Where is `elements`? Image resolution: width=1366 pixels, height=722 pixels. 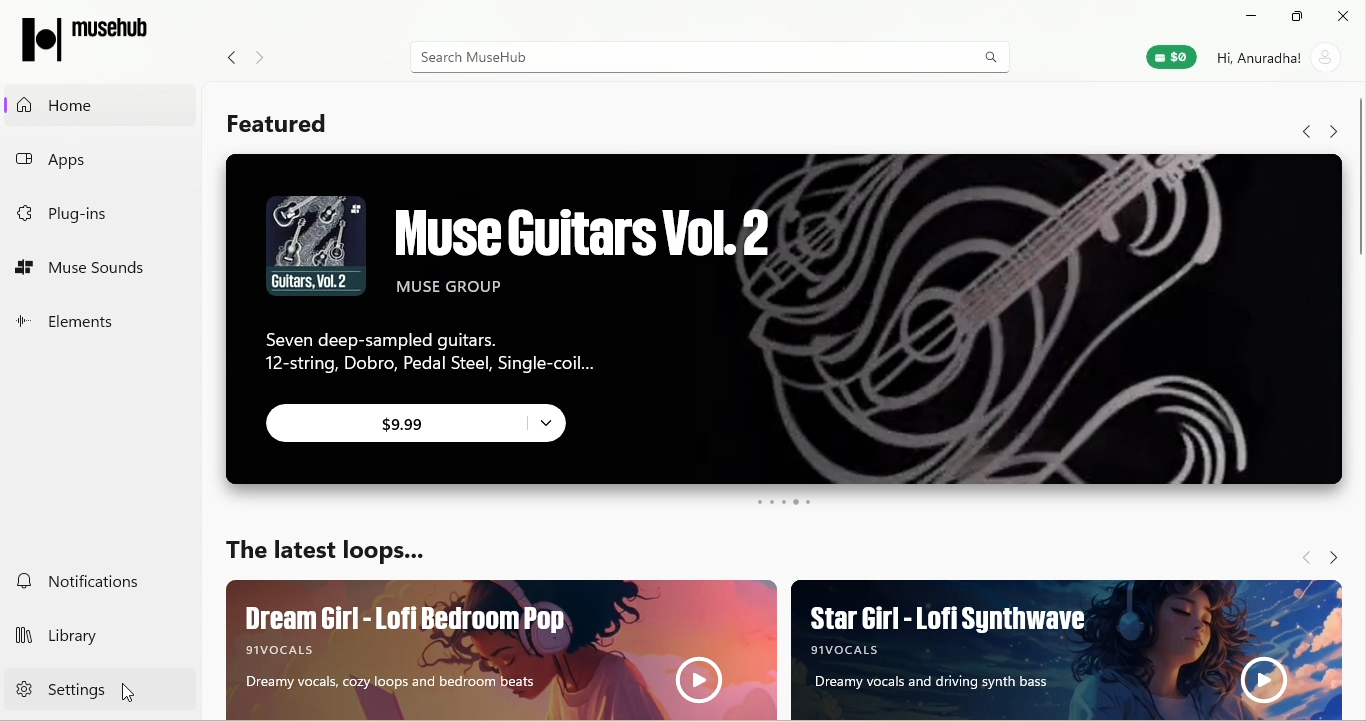
elements is located at coordinates (99, 318).